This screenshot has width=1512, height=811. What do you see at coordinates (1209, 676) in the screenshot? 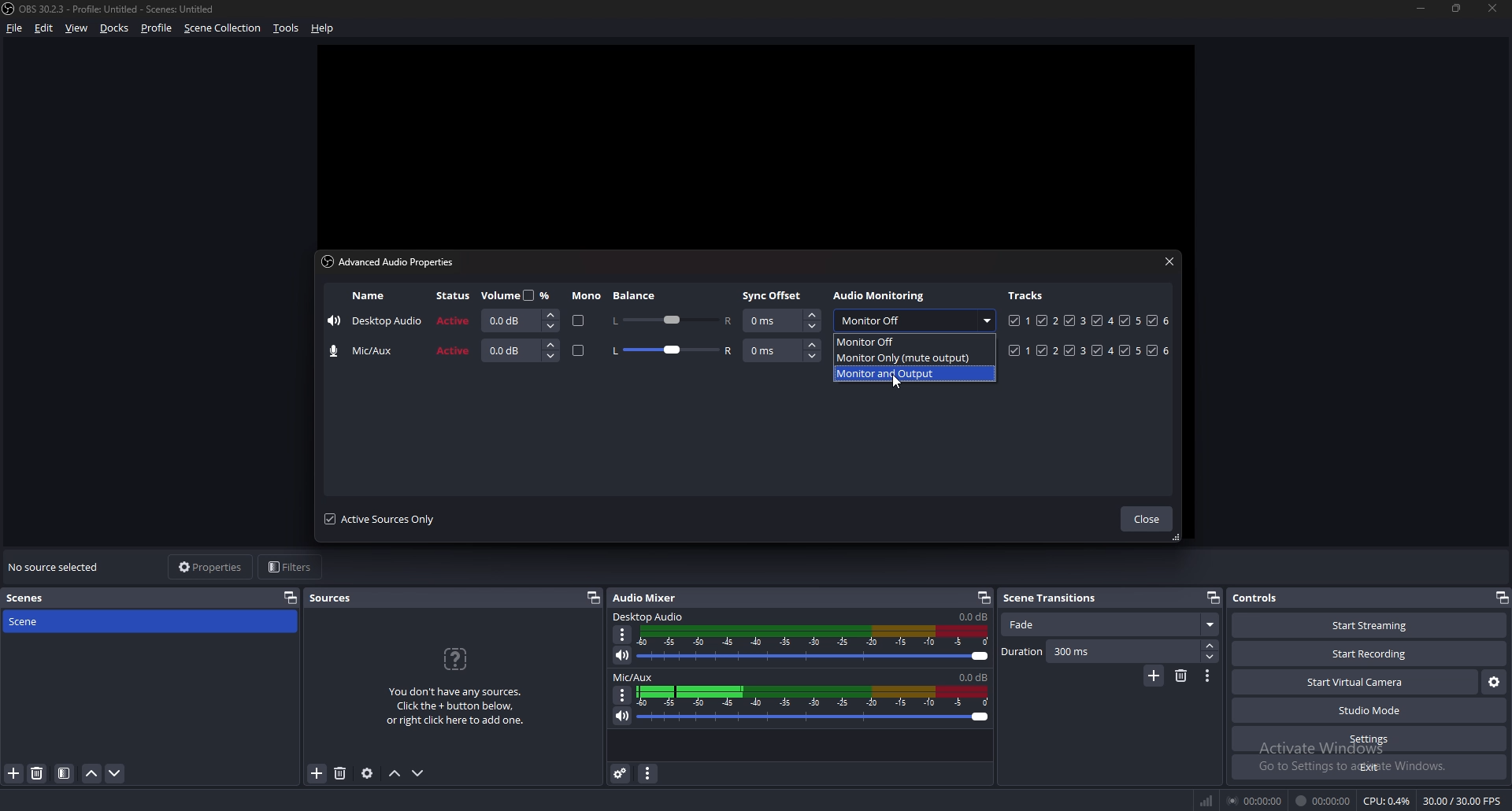
I see `options` at bounding box center [1209, 676].